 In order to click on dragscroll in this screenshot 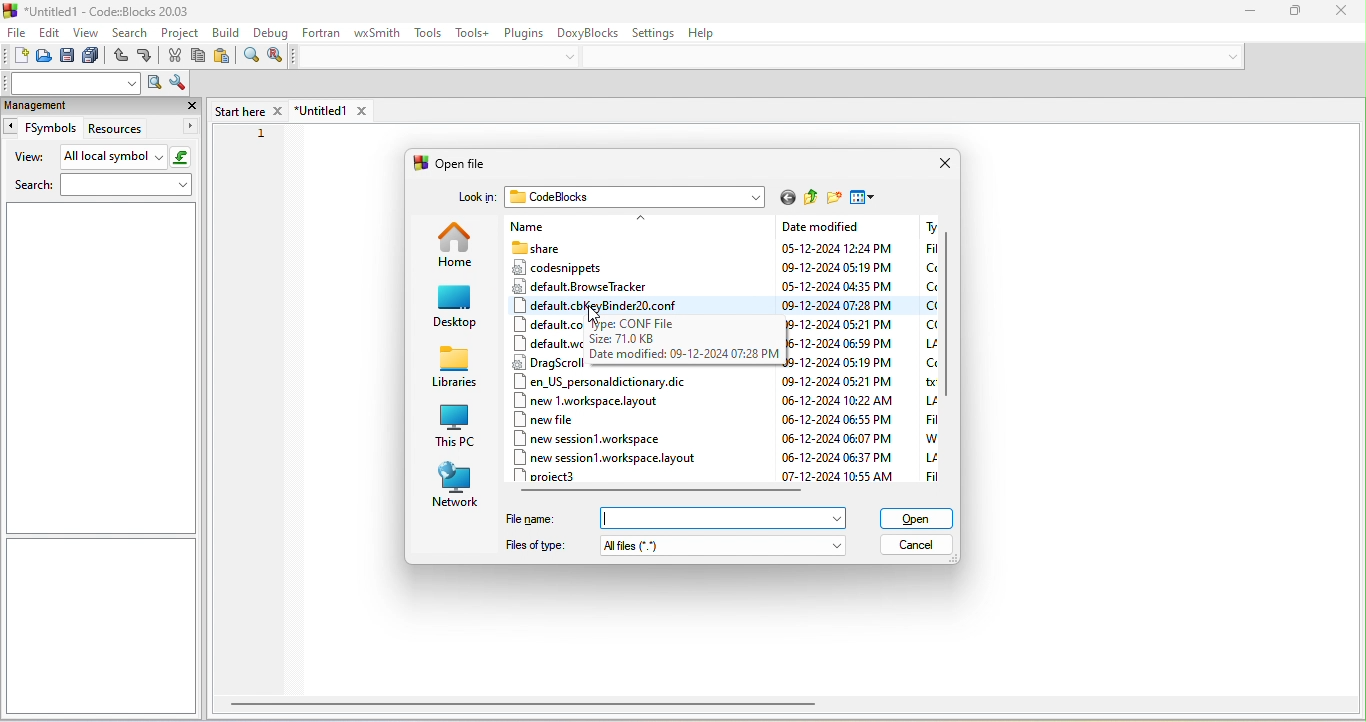, I will do `click(550, 364)`.